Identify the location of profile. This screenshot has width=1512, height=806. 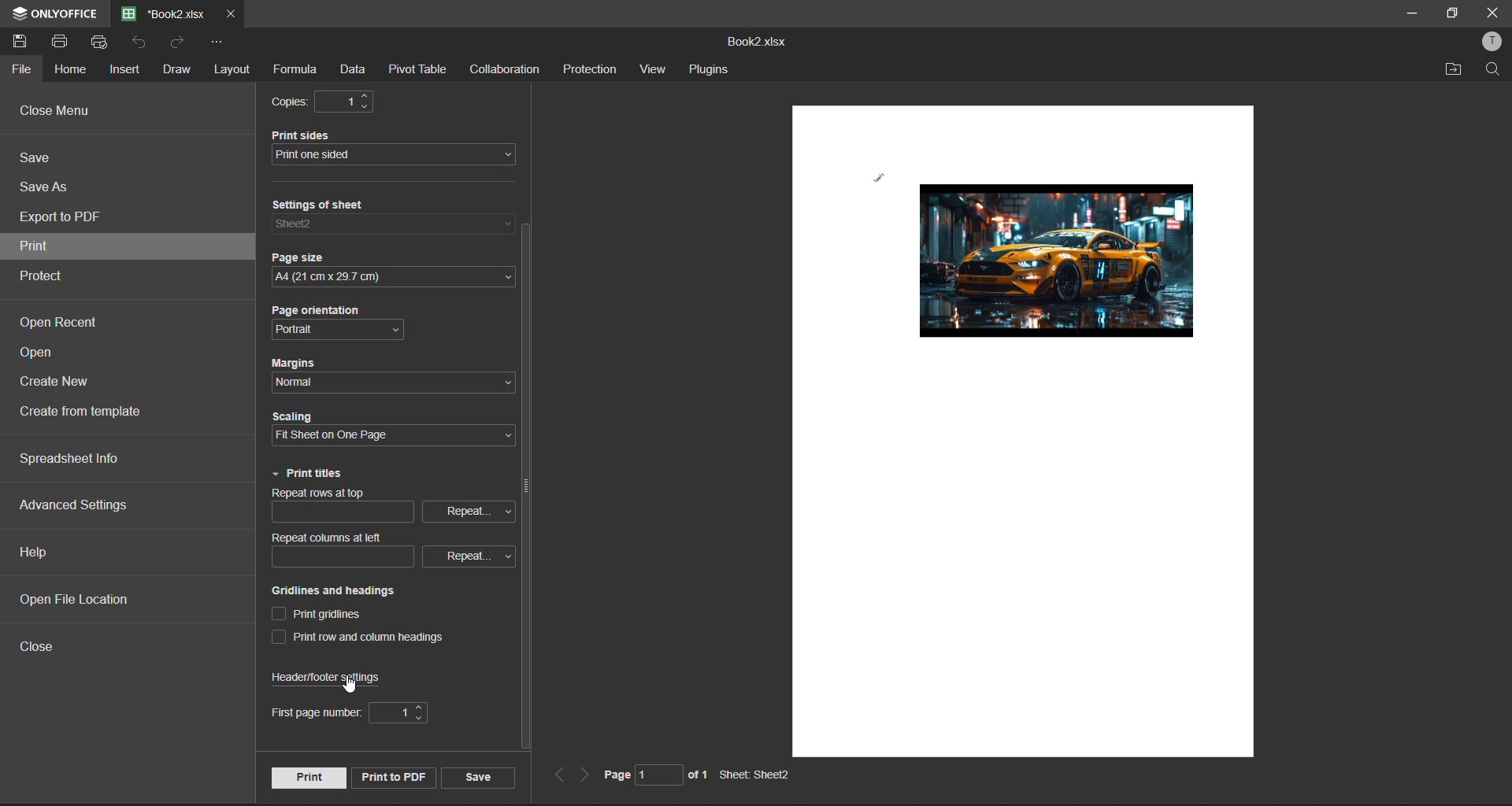
(1488, 43).